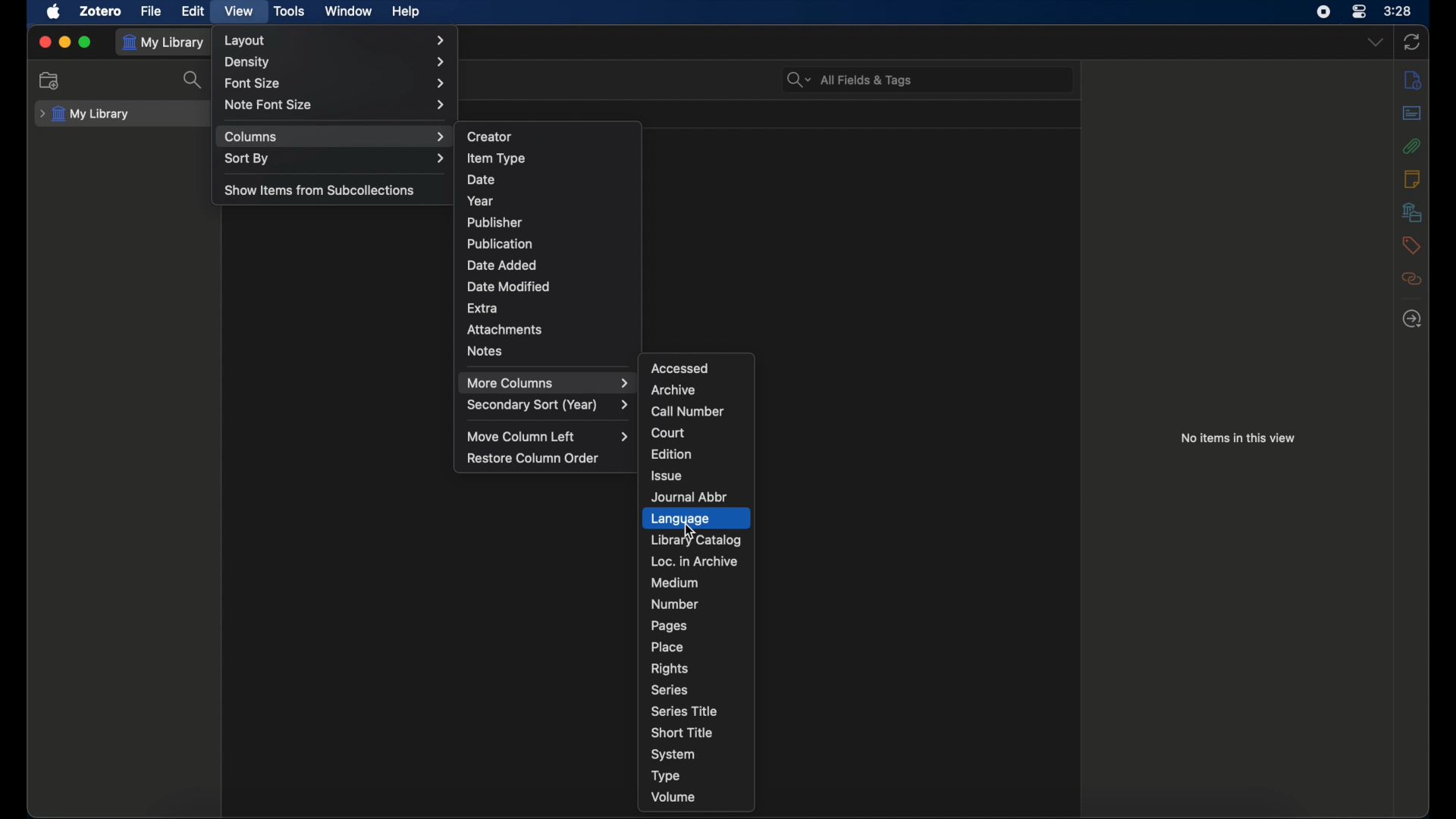 The image size is (1456, 819). Describe the element at coordinates (670, 670) in the screenshot. I see `rights` at that location.